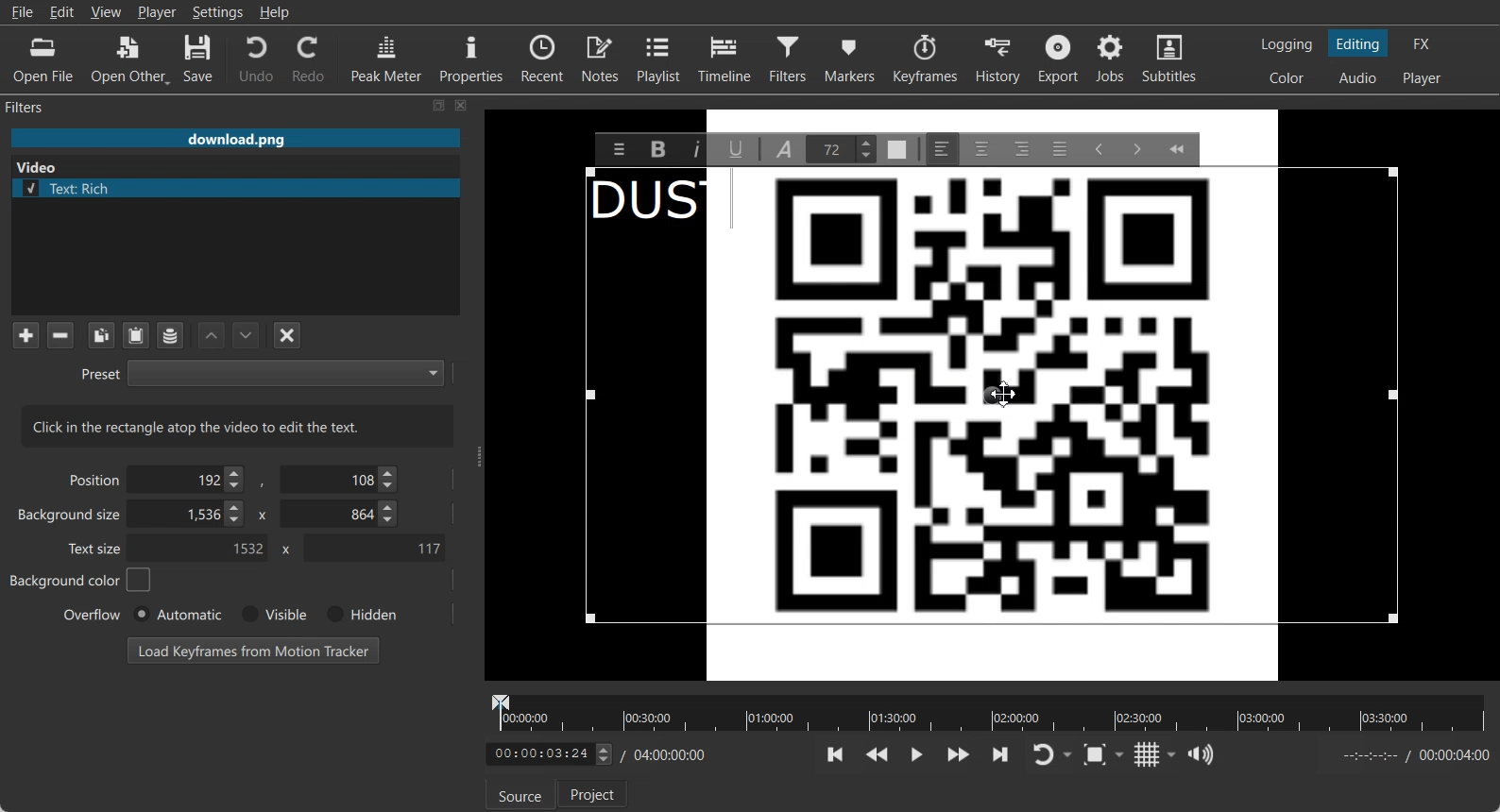 The width and height of the screenshot is (1500, 812). What do you see at coordinates (190, 516) in the screenshot?
I see `Background size X- Coordinate` at bounding box center [190, 516].